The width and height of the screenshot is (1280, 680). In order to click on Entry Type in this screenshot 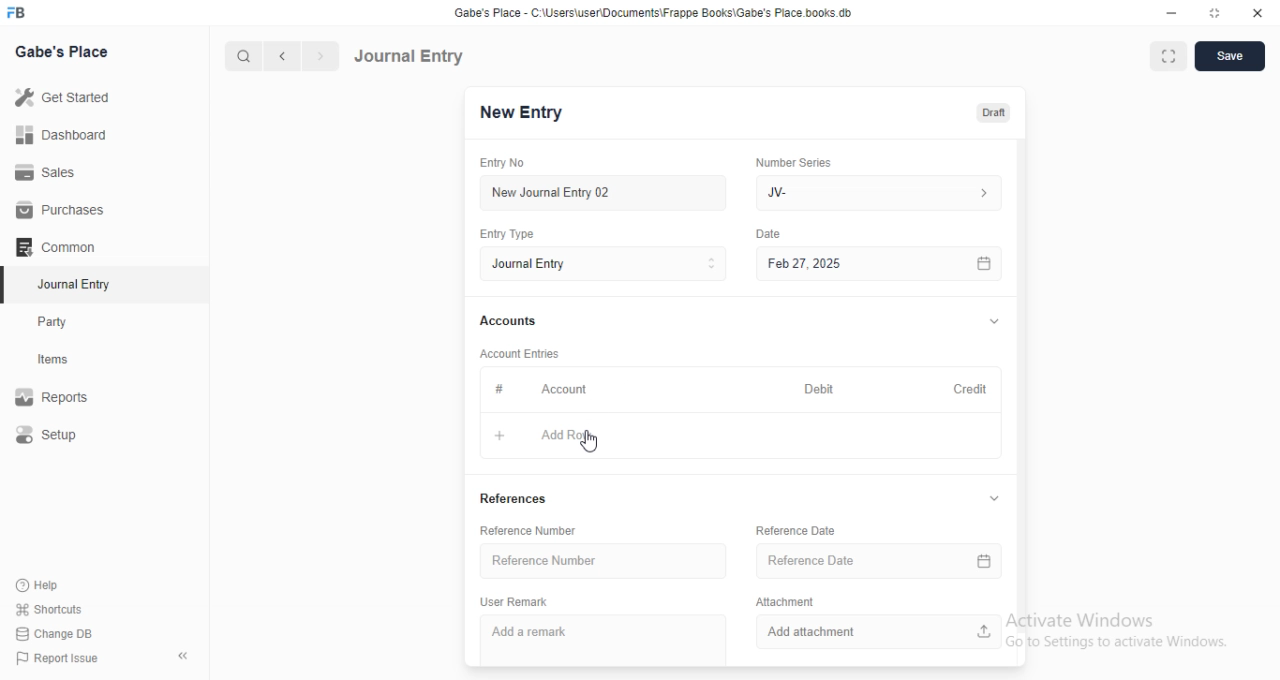, I will do `click(507, 235)`.